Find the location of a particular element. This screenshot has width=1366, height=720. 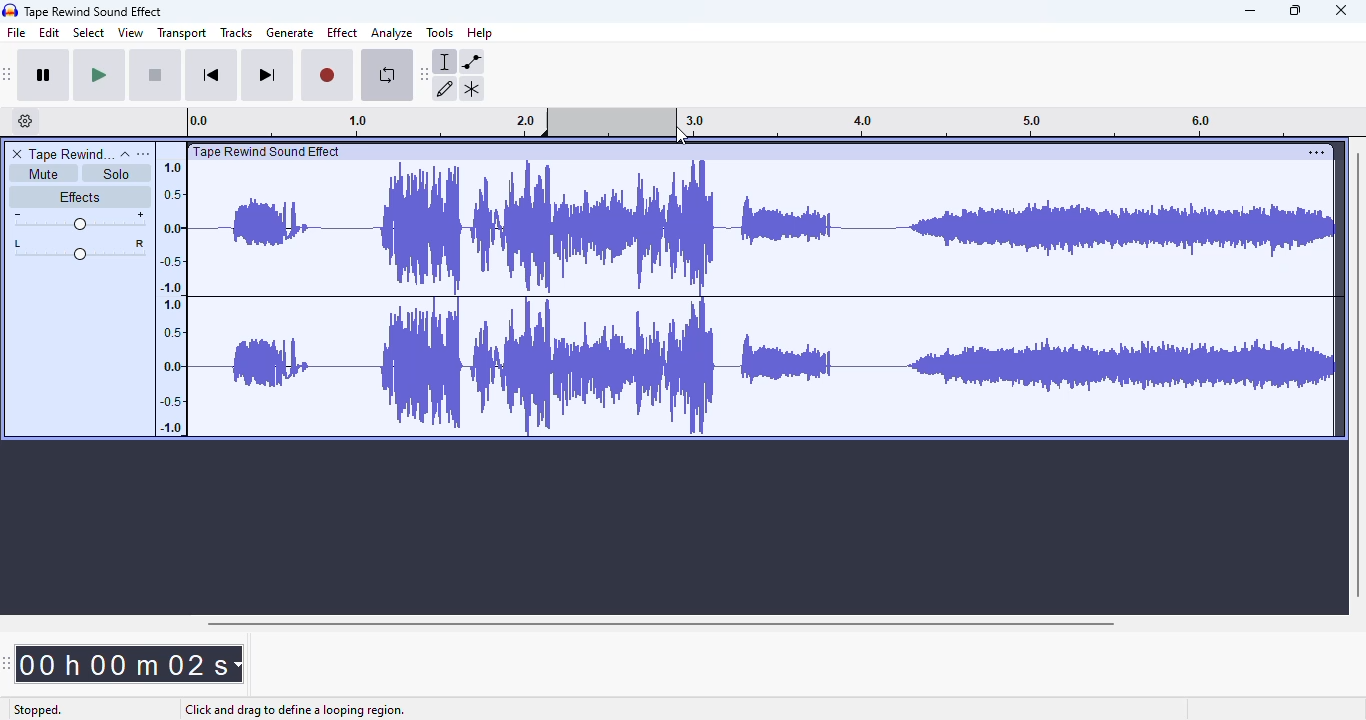

looping region is located at coordinates (611, 121).